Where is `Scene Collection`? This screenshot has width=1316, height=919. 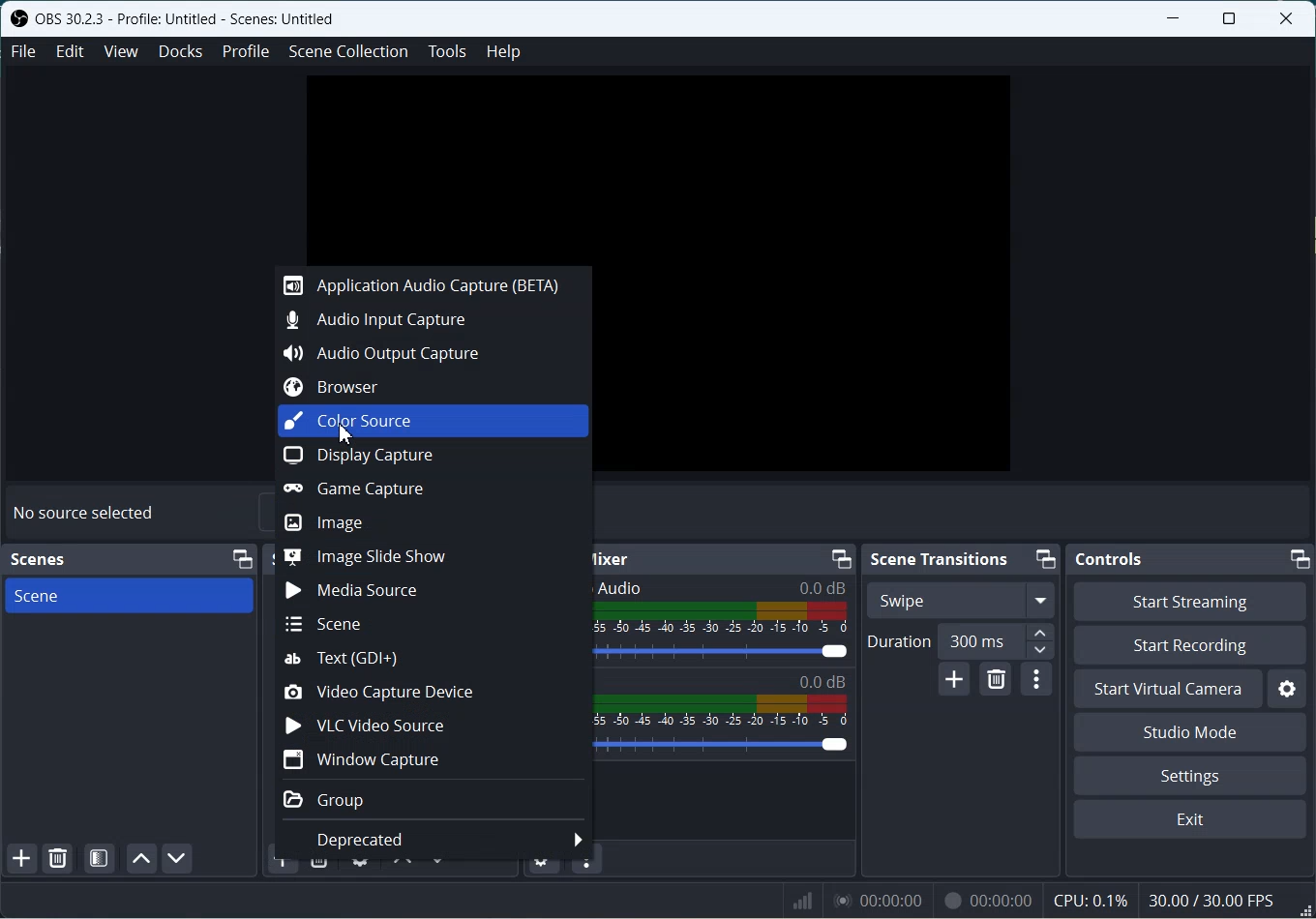 Scene Collection is located at coordinates (349, 52).